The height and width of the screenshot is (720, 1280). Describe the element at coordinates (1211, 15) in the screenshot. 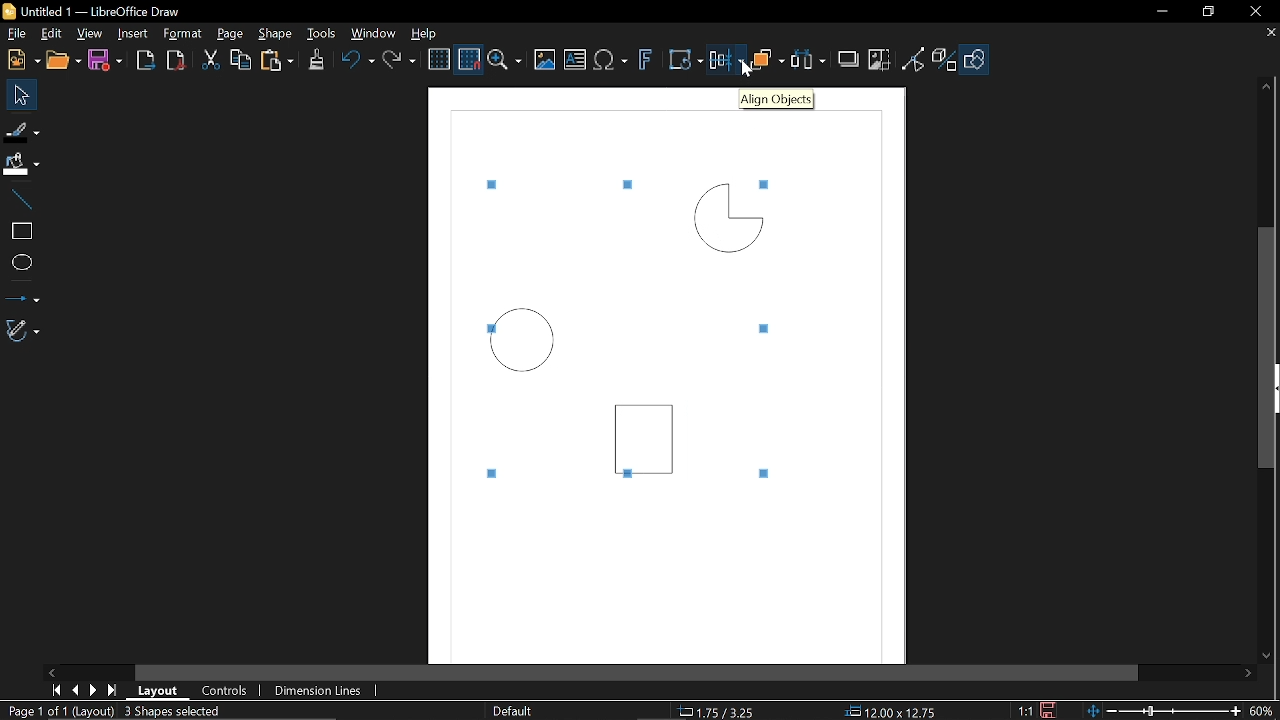

I see `REstore down` at that location.